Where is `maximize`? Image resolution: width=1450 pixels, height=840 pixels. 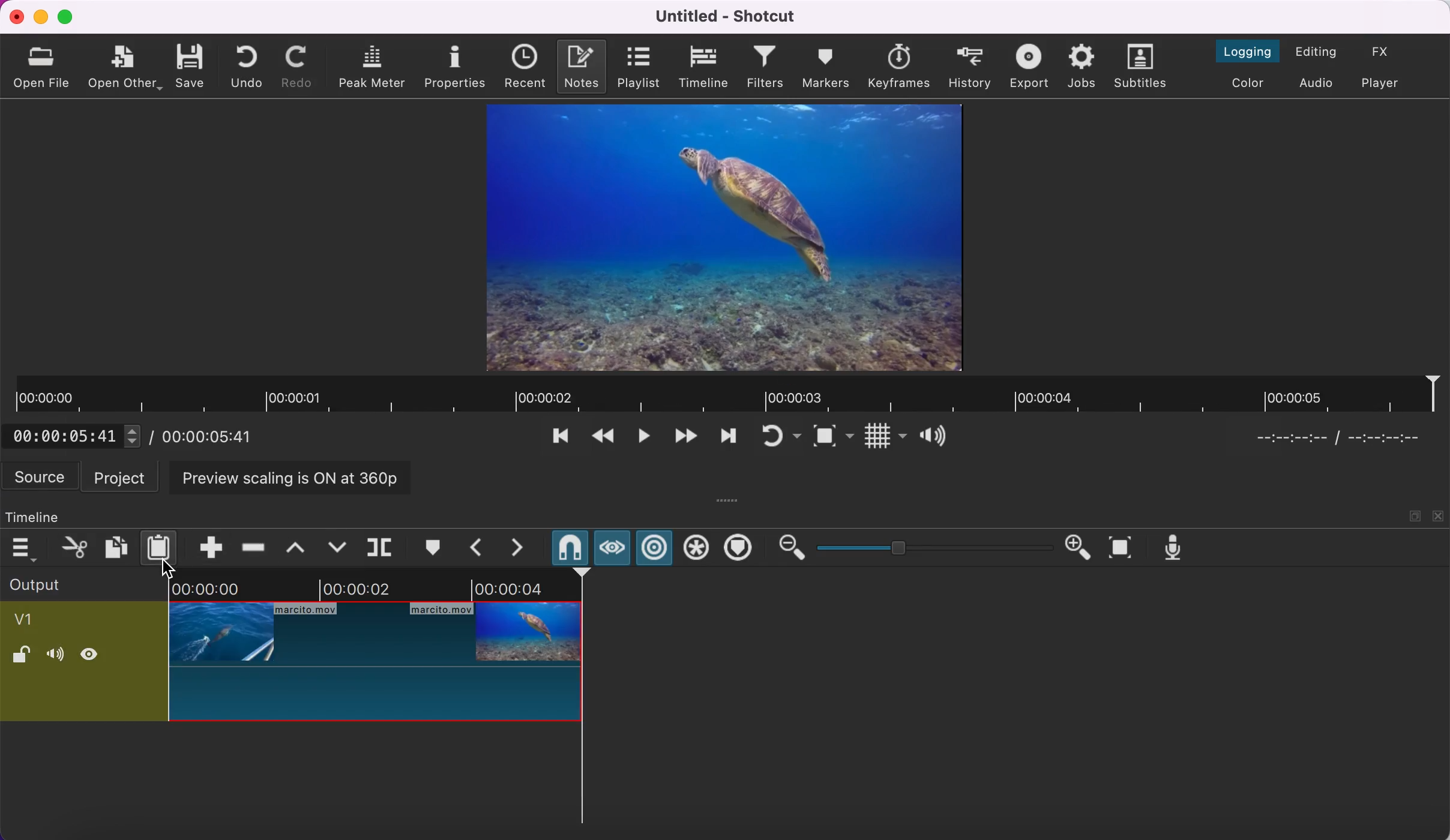 maximize is located at coordinates (69, 17).